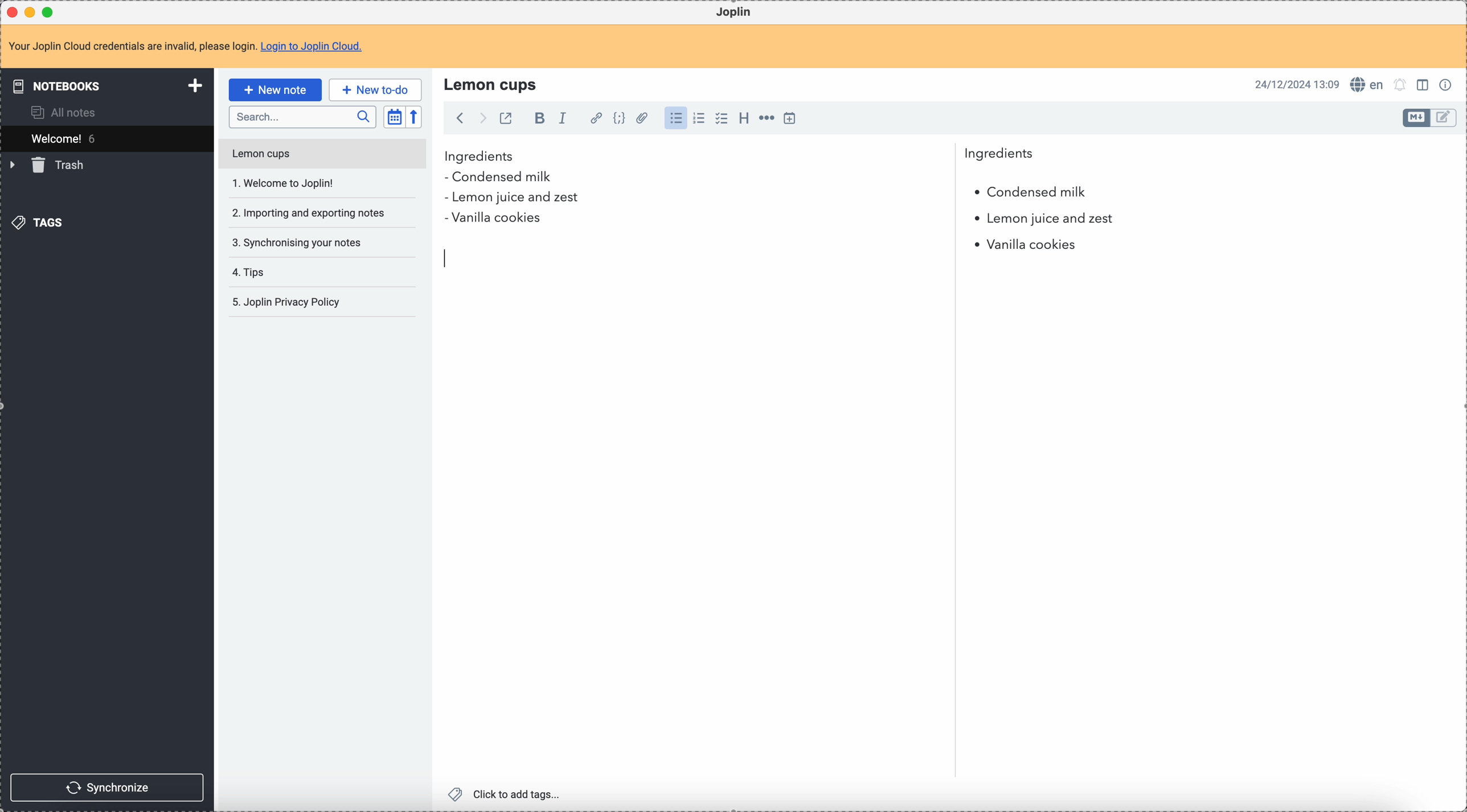  I want to click on importing and exporting your notes, so click(310, 213).